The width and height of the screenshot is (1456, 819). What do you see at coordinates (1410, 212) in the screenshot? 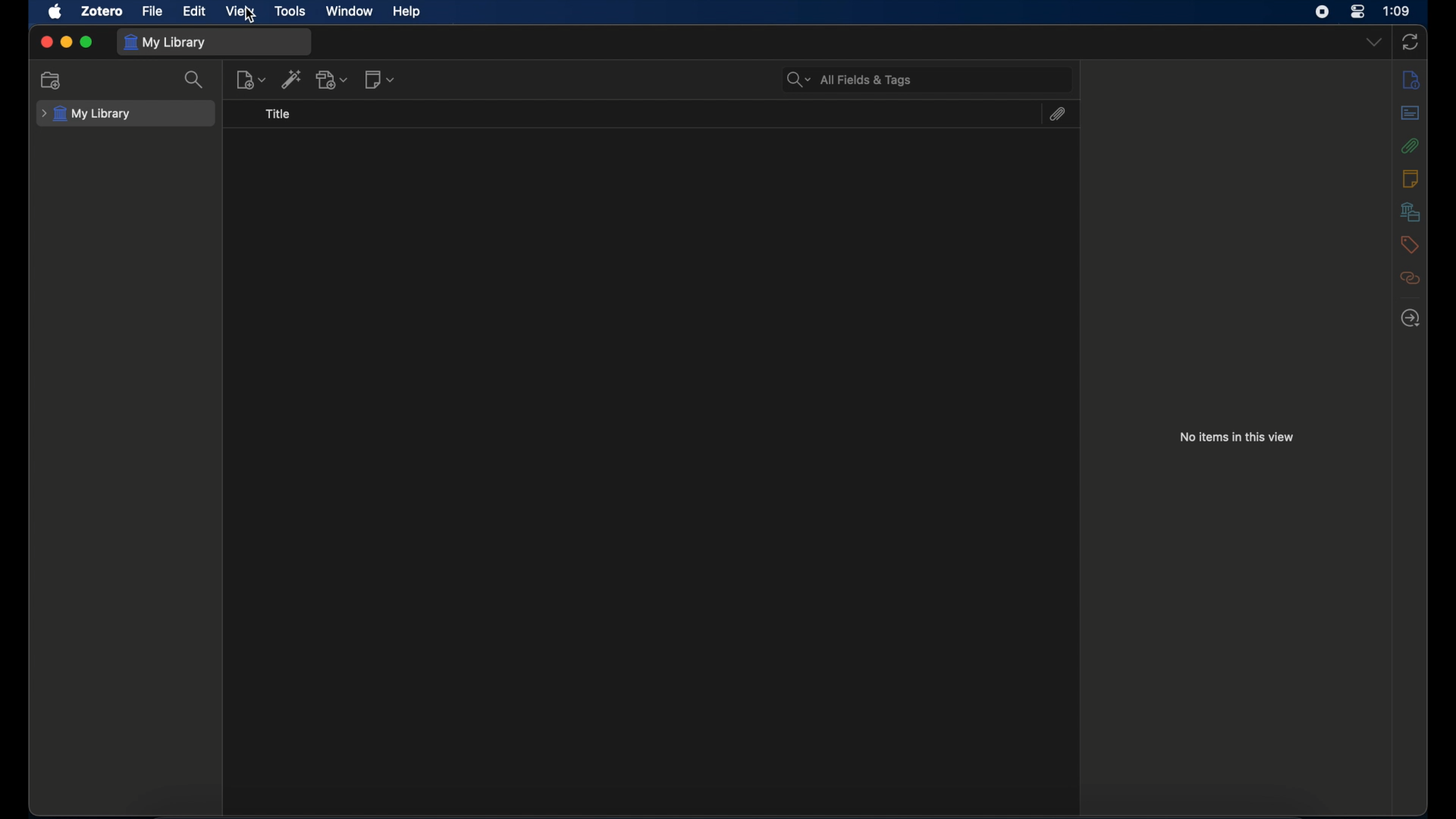
I see `libraries` at bounding box center [1410, 212].